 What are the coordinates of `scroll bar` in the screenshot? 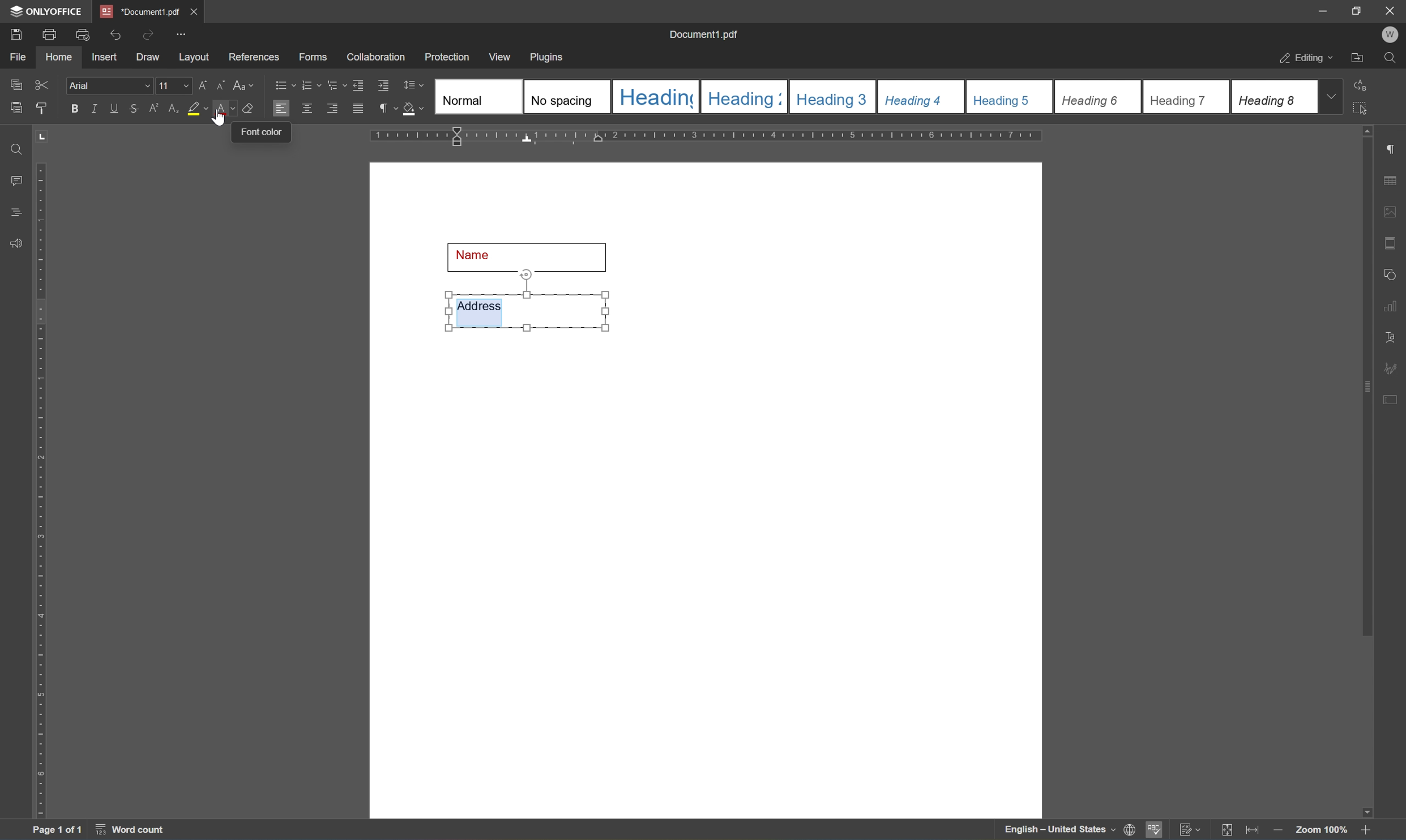 It's located at (1367, 388).